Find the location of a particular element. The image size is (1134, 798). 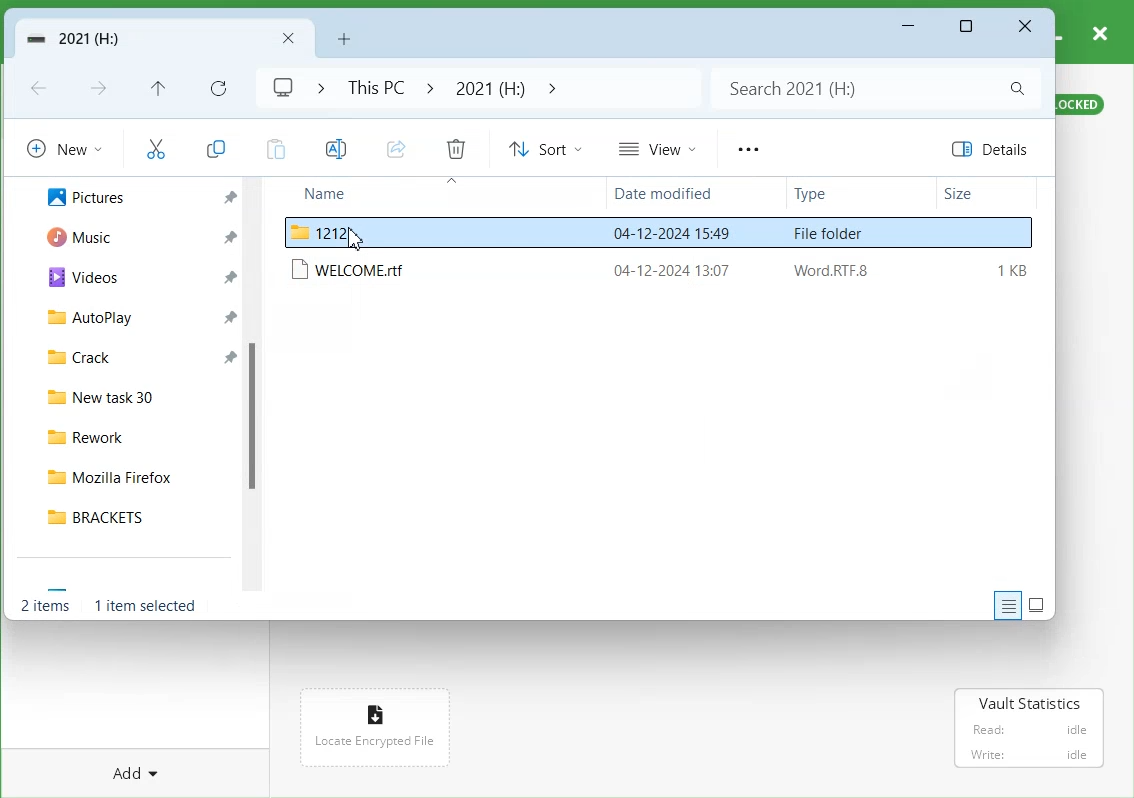

scrollbar is located at coordinates (257, 386).